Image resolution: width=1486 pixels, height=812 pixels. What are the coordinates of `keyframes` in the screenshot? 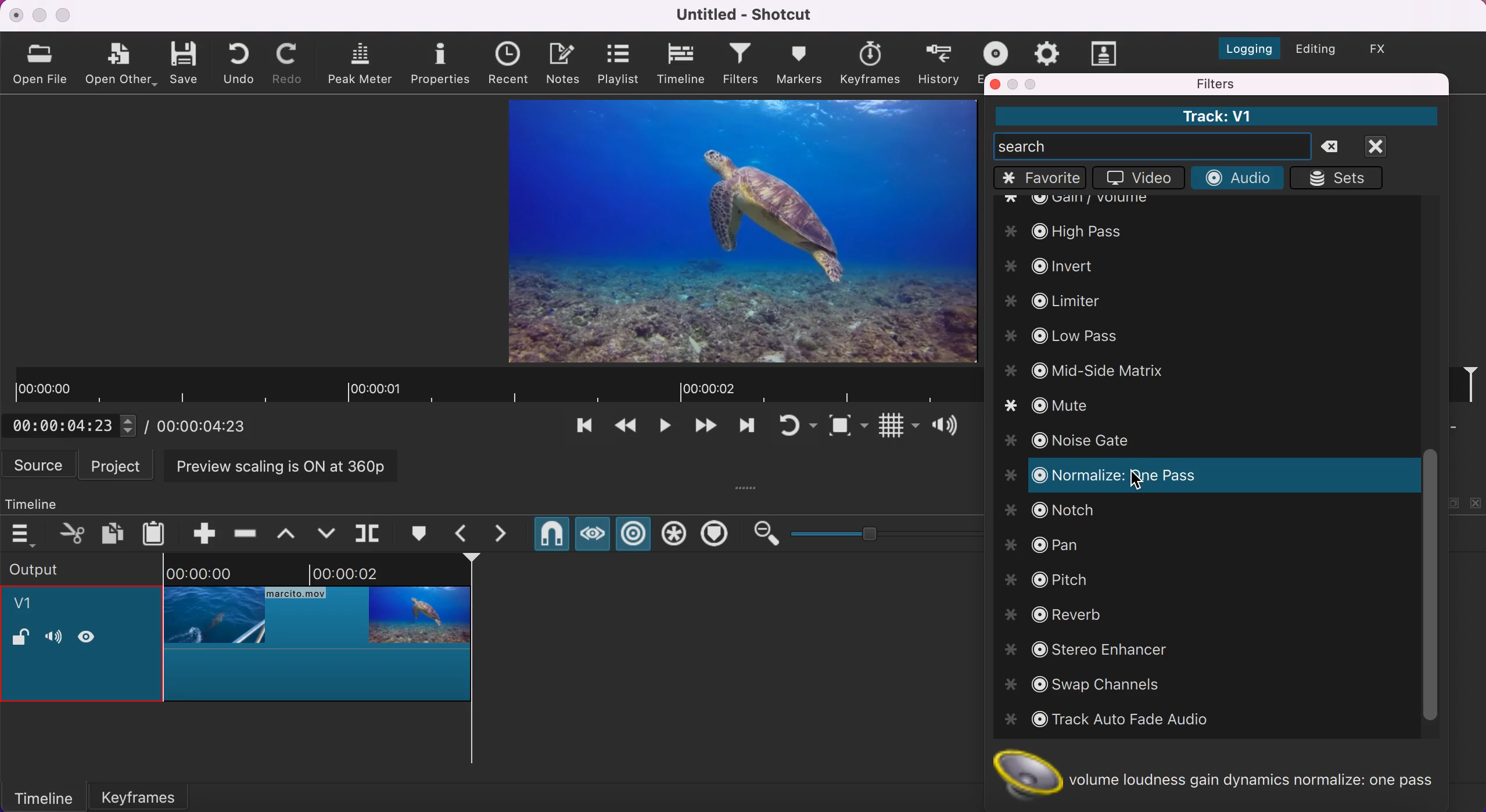 It's located at (153, 793).